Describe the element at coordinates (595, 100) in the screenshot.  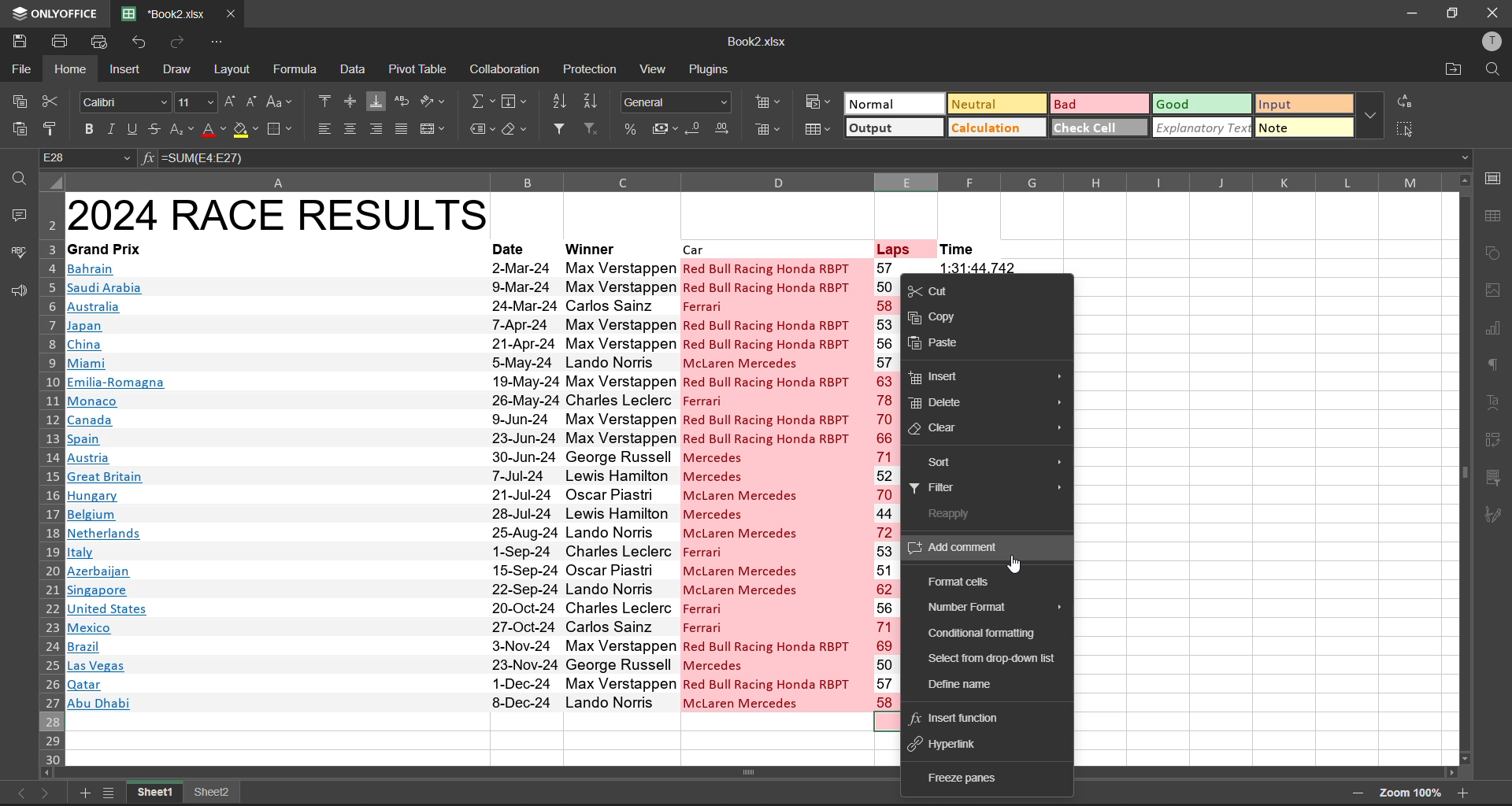
I see `sort descending` at that location.